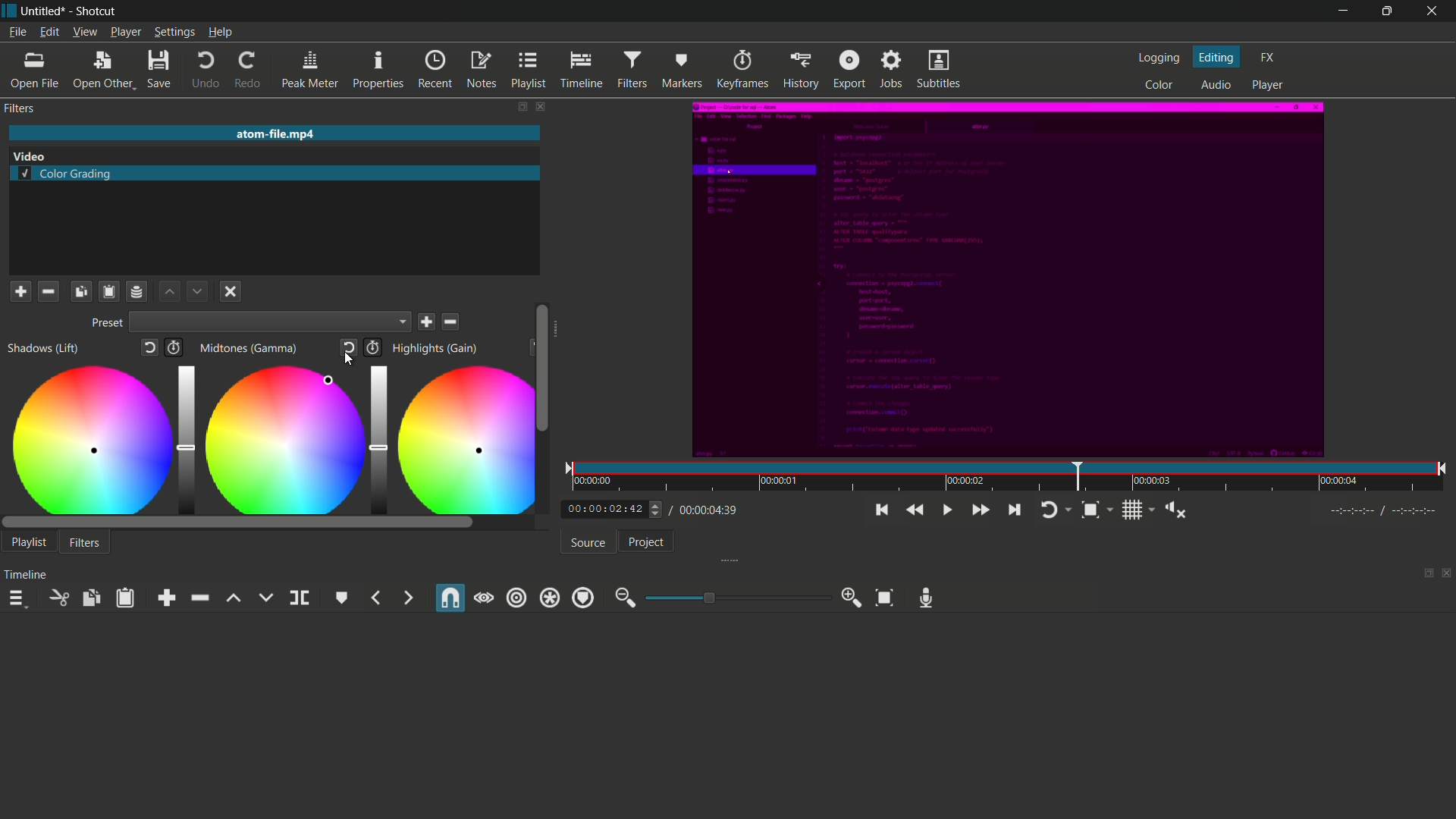 Image resolution: width=1456 pixels, height=819 pixels. What do you see at coordinates (105, 324) in the screenshot?
I see `Present` at bounding box center [105, 324].